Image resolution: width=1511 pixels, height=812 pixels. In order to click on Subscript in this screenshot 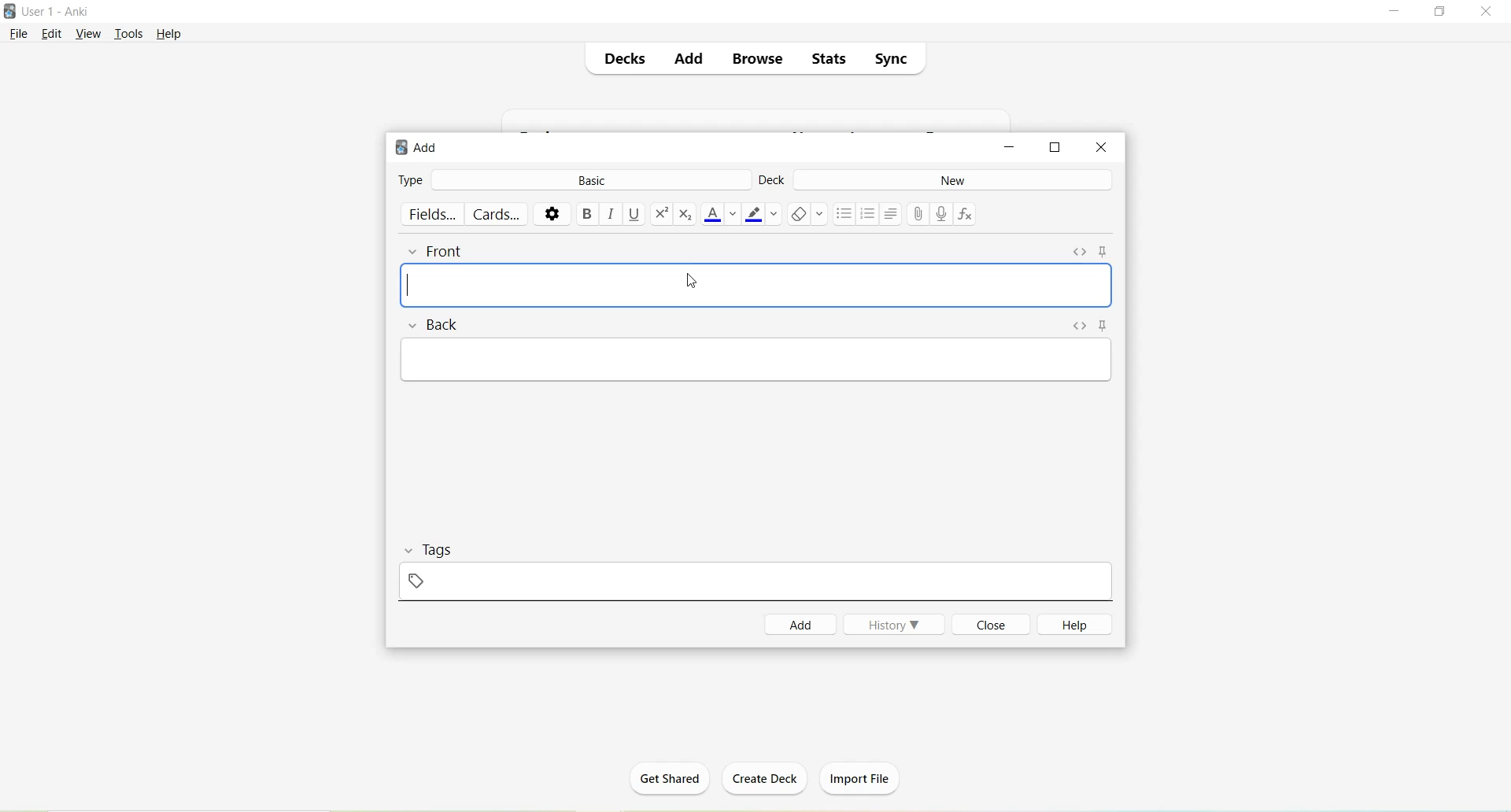, I will do `click(686, 214)`.